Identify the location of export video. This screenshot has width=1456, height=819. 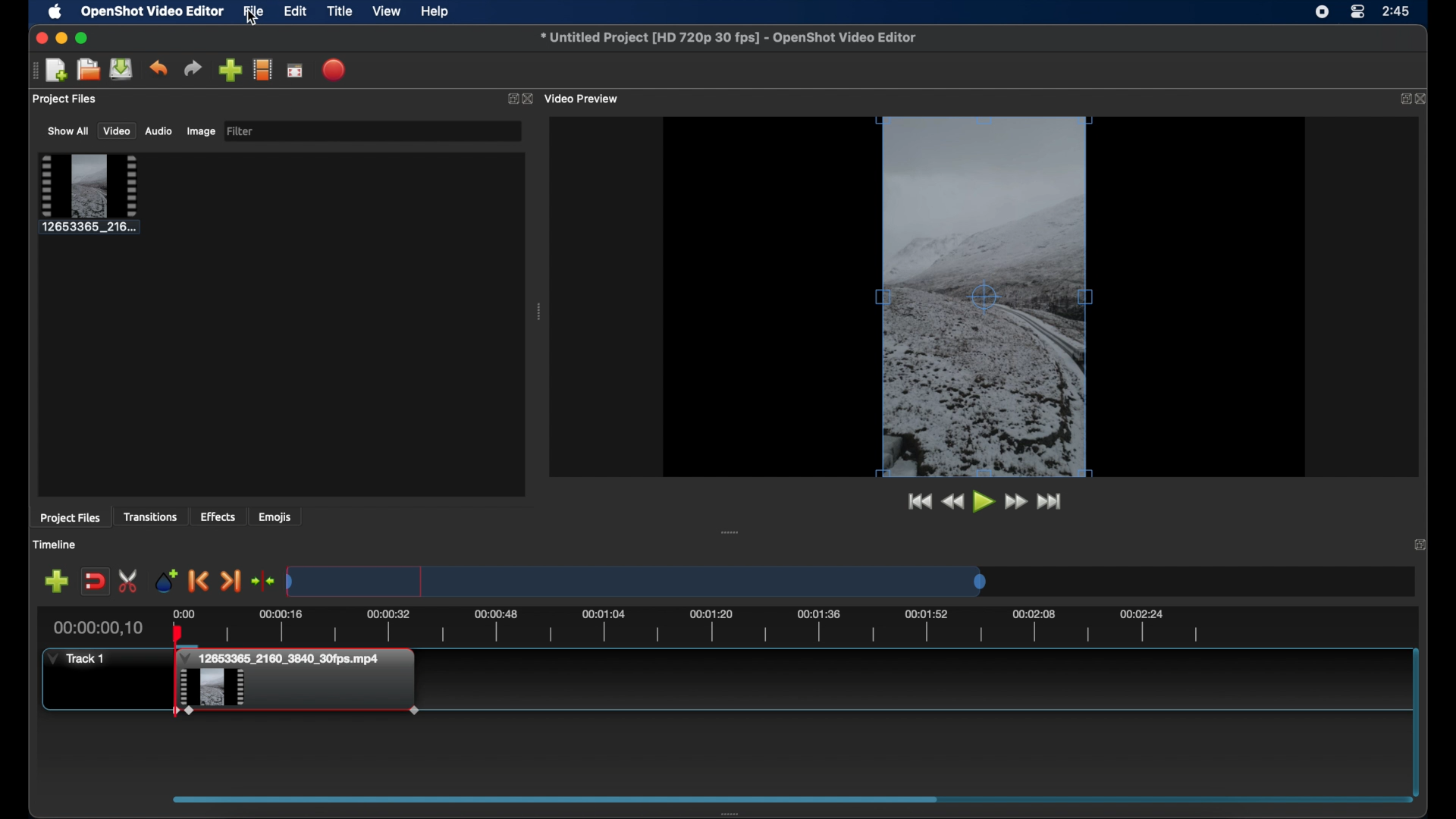
(334, 71).